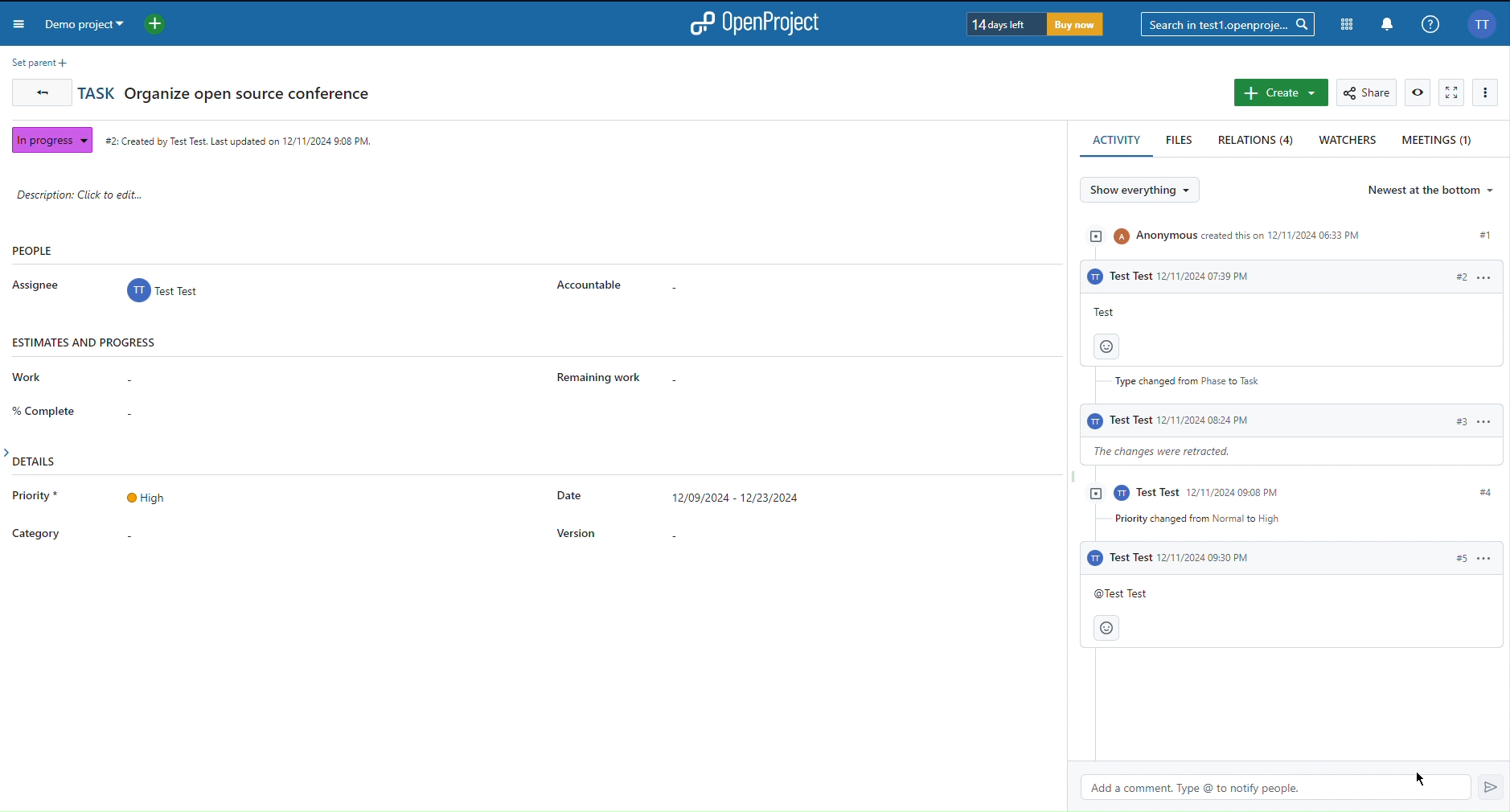 The width and height of the screenshot is (1510, 812). What do you see at coordinates (1293, 598) in the screenshot?
I see `Test Test Comment` at bounding box center [1293, 598].